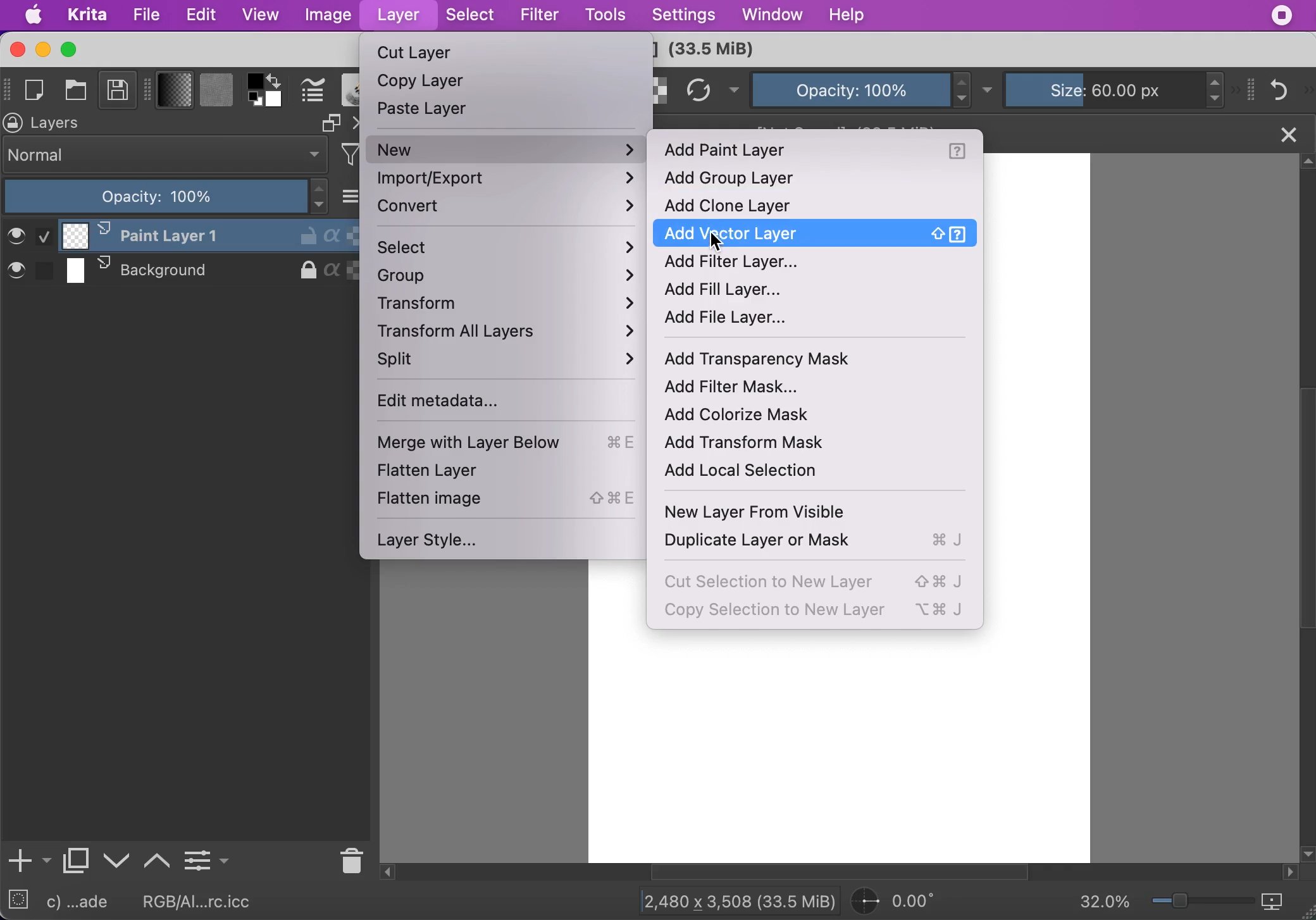 Image resolution: width=1316 pixels, height=920 pixels. What do you see at coordinates (748, 387) in the screenshot?
I see `add filter mask` at bounding box center [748, 387].